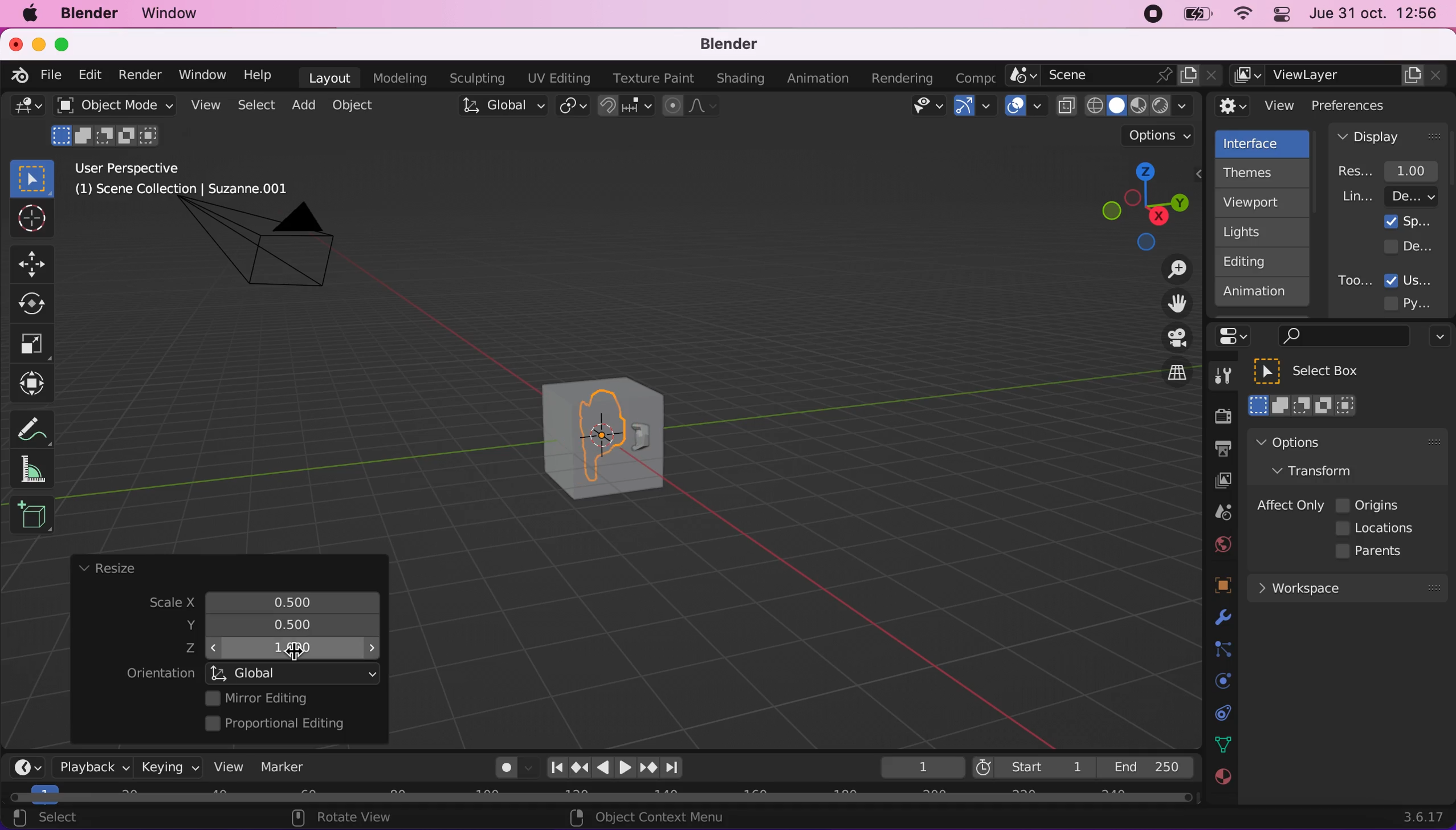 Image resolution: width=1456 pixels, height=830 pixels. Describe the element at coordinates (1368, 105) in the screenshot. I see `preferences` at that location.